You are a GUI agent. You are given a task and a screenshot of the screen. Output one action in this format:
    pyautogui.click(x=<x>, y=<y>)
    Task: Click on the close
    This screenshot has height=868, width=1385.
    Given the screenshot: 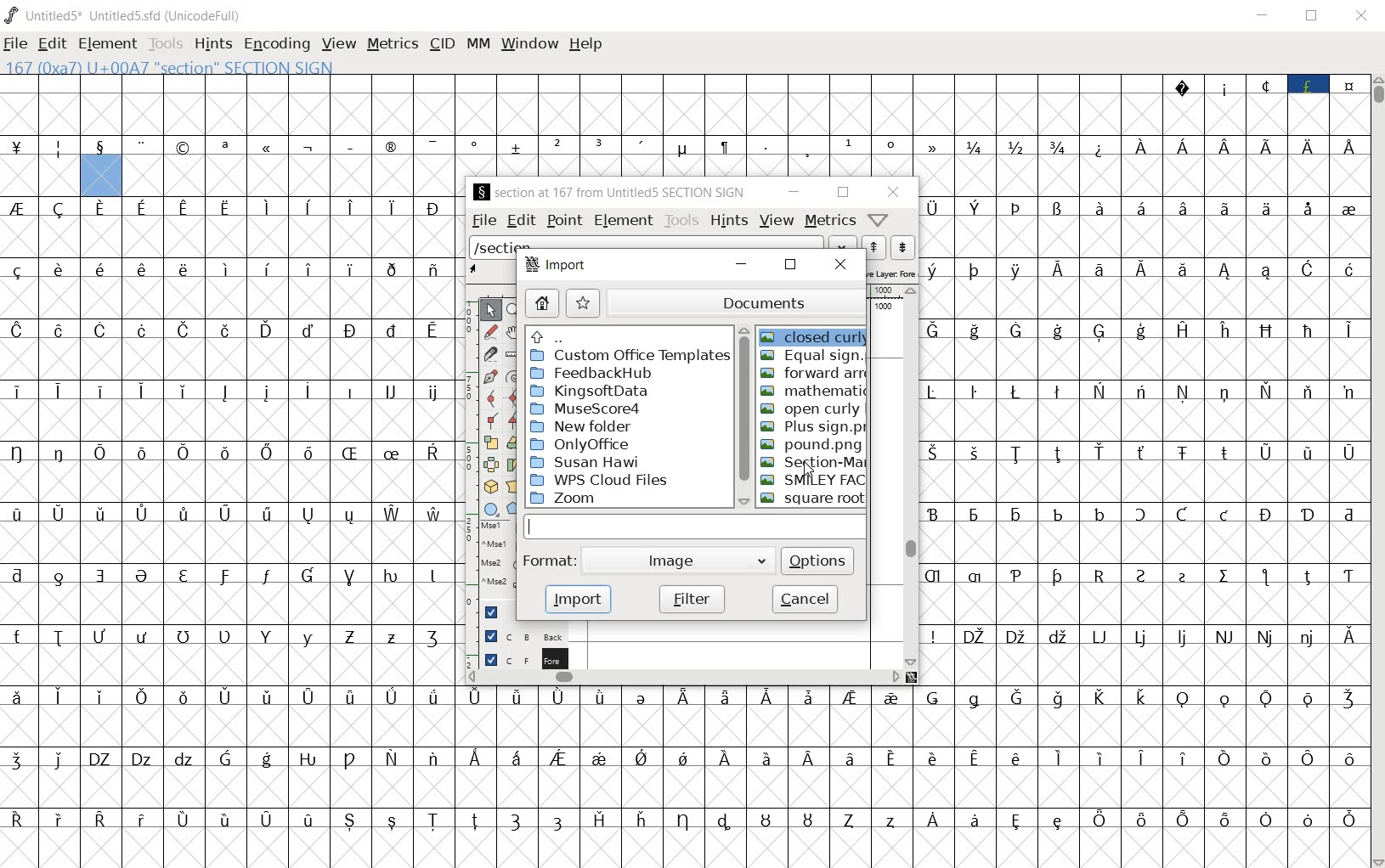 What is the action you would take?
    pyautogui.click(x=893, y=192)
    